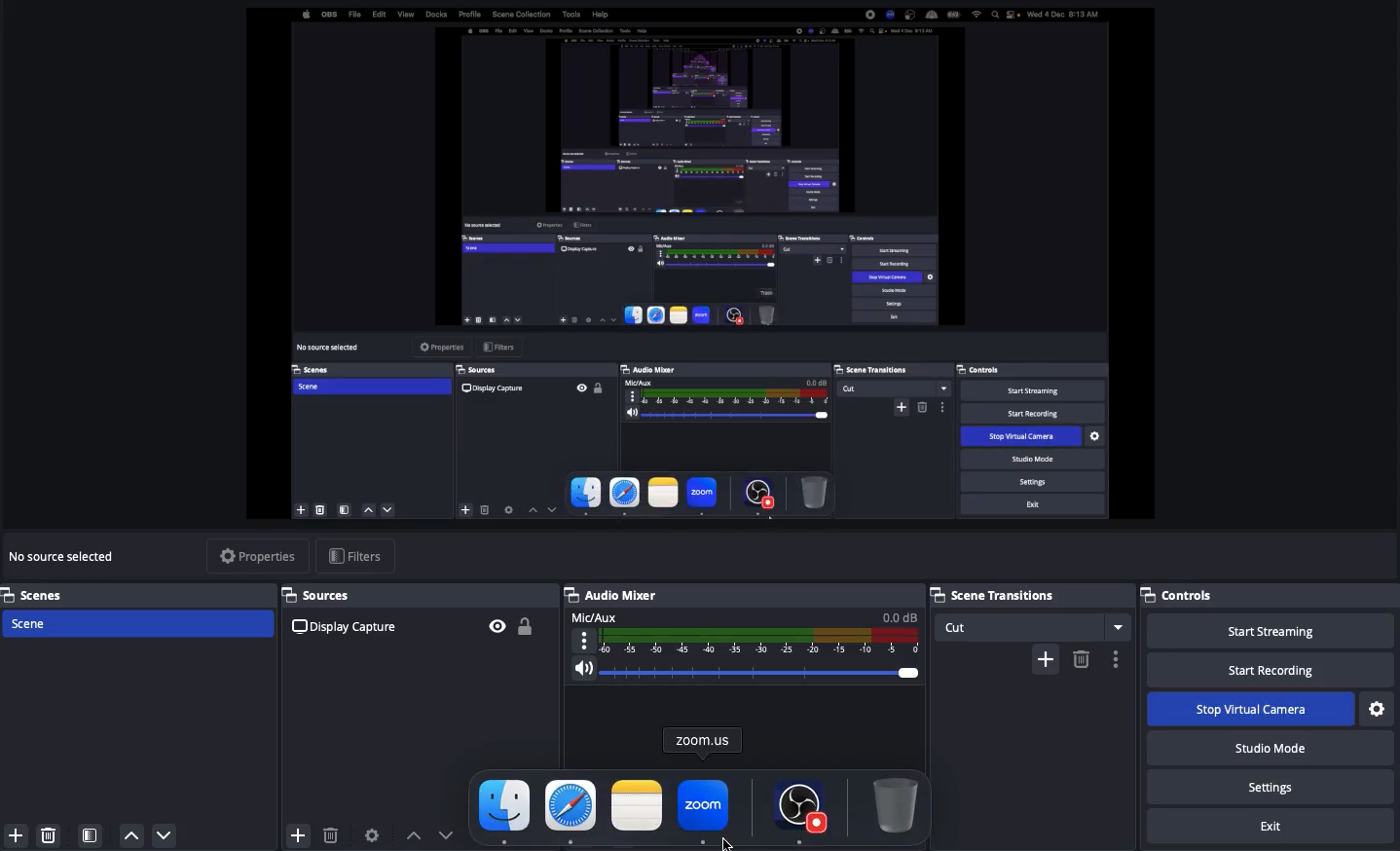  I want to click on No sources selected, so click(65, 557).